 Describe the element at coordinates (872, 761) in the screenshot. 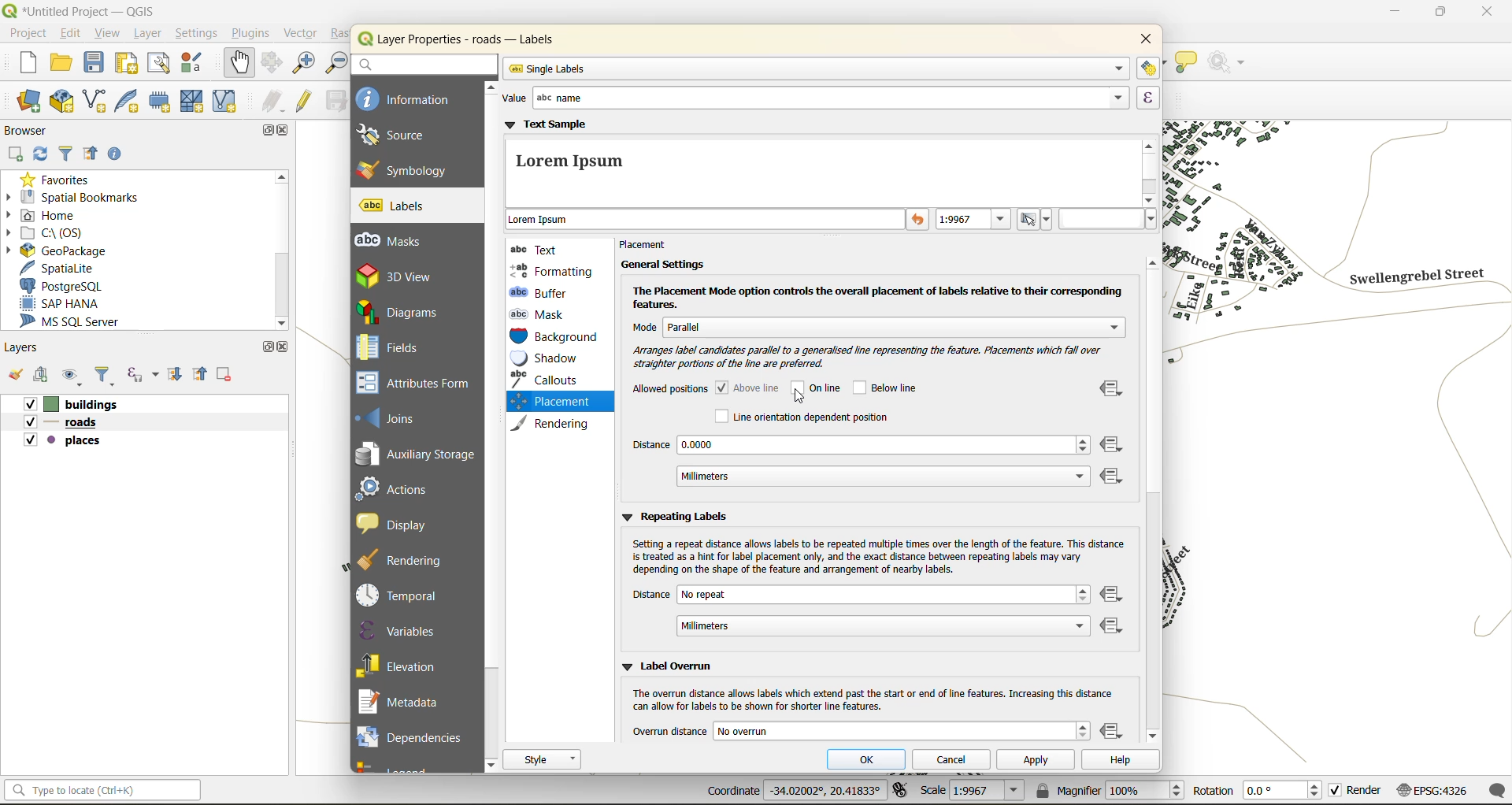

I see `ok` at that location.